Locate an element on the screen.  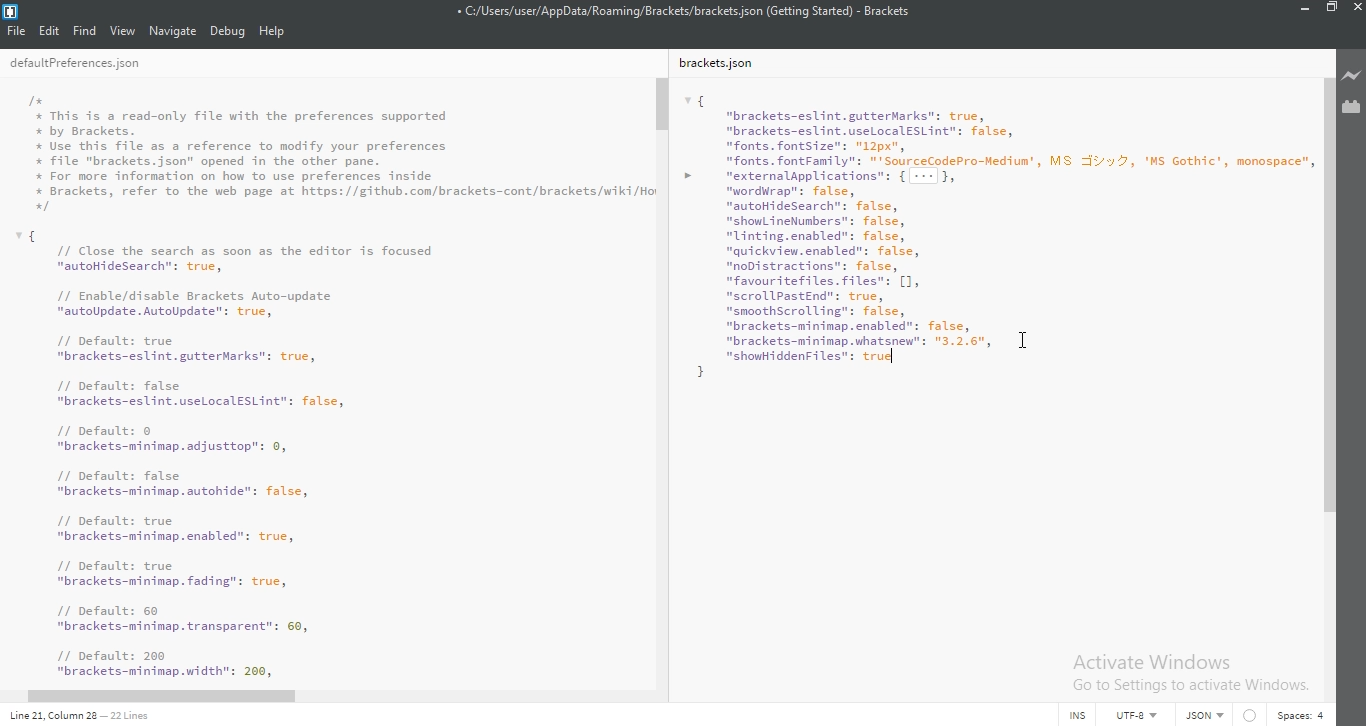
C:/Users/user/AppData/Roaming/Brackets/brackets.json (Getting Started) - Brackets is located at coordinates (687, 10).